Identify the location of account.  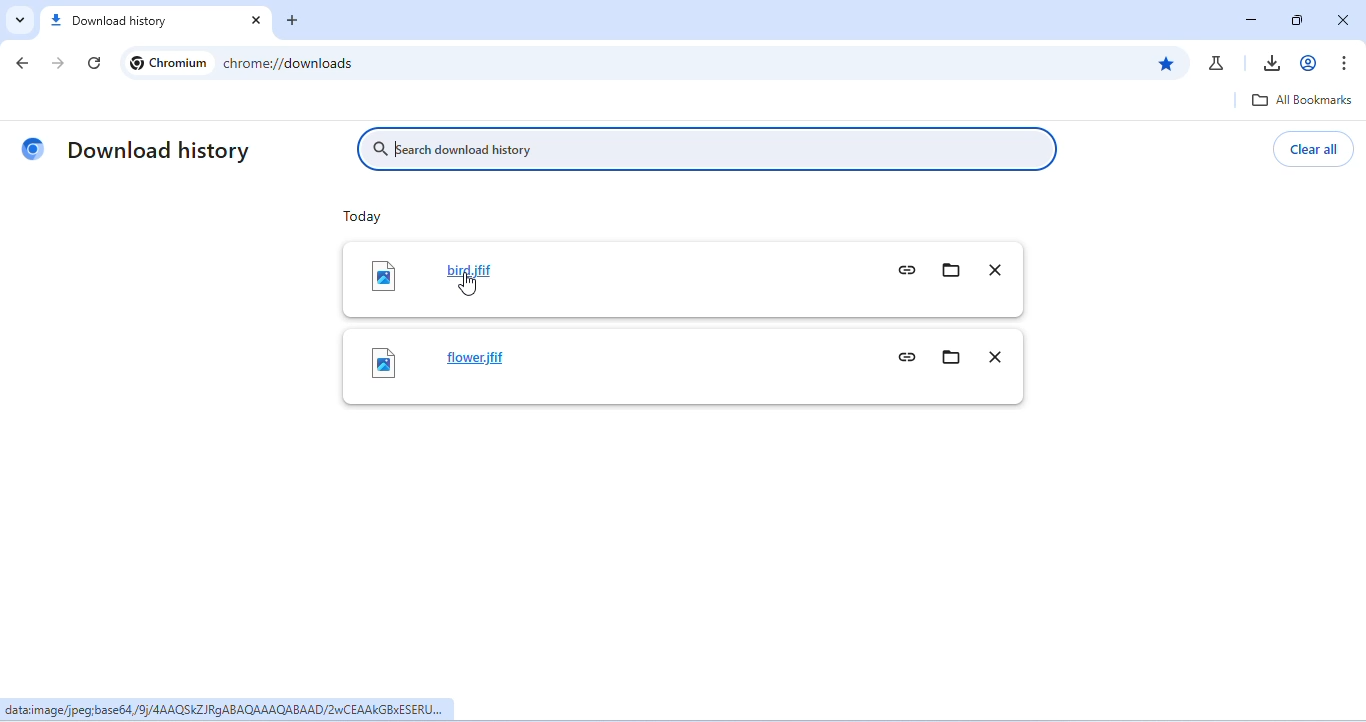
(1309, 64).